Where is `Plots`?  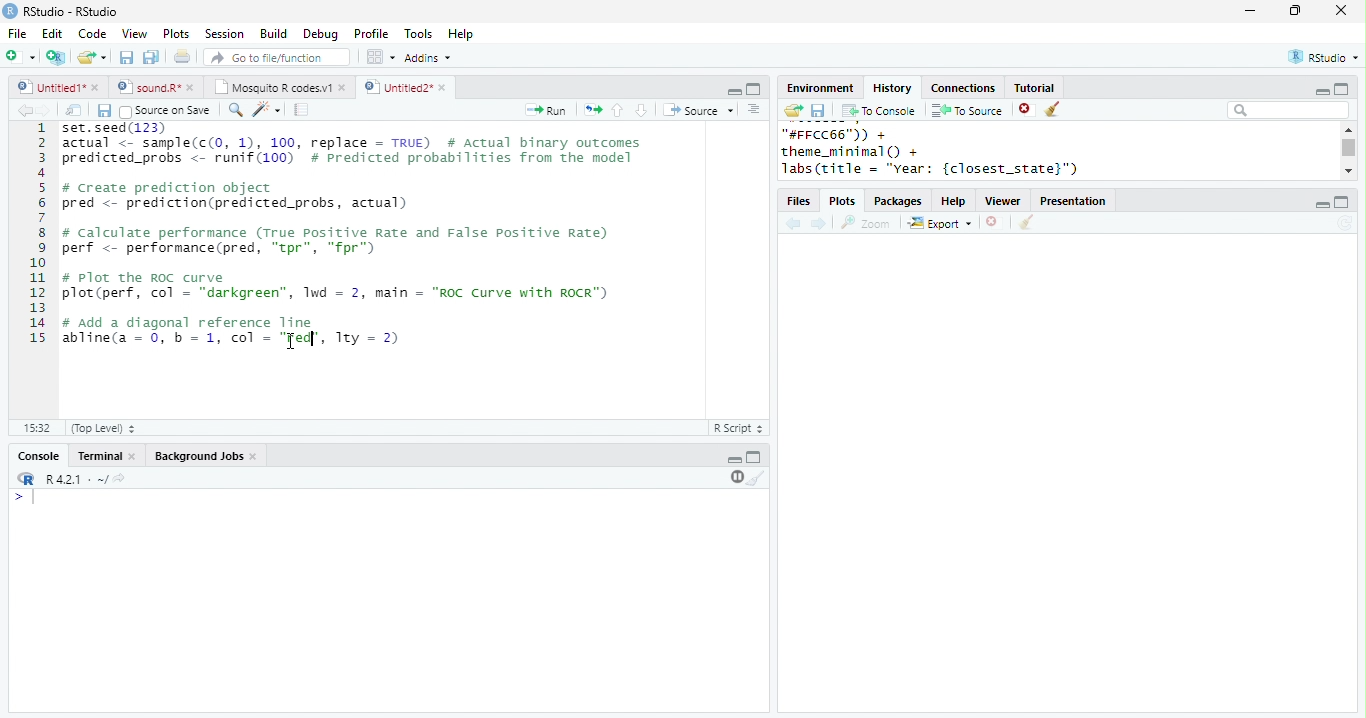
Plots is located at coordinates (177, 33).